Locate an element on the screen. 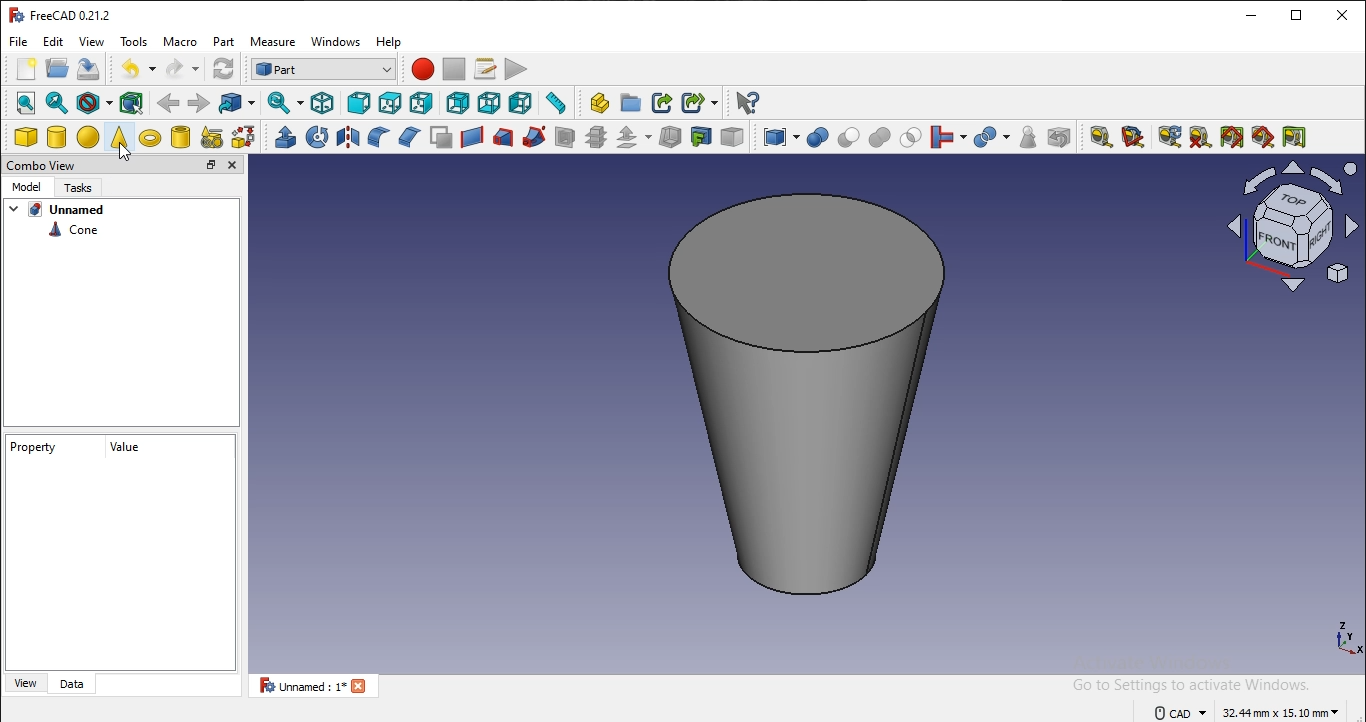 The width and height of the screenshot is (1366, 722). cube is located at coordinates (25, 137).